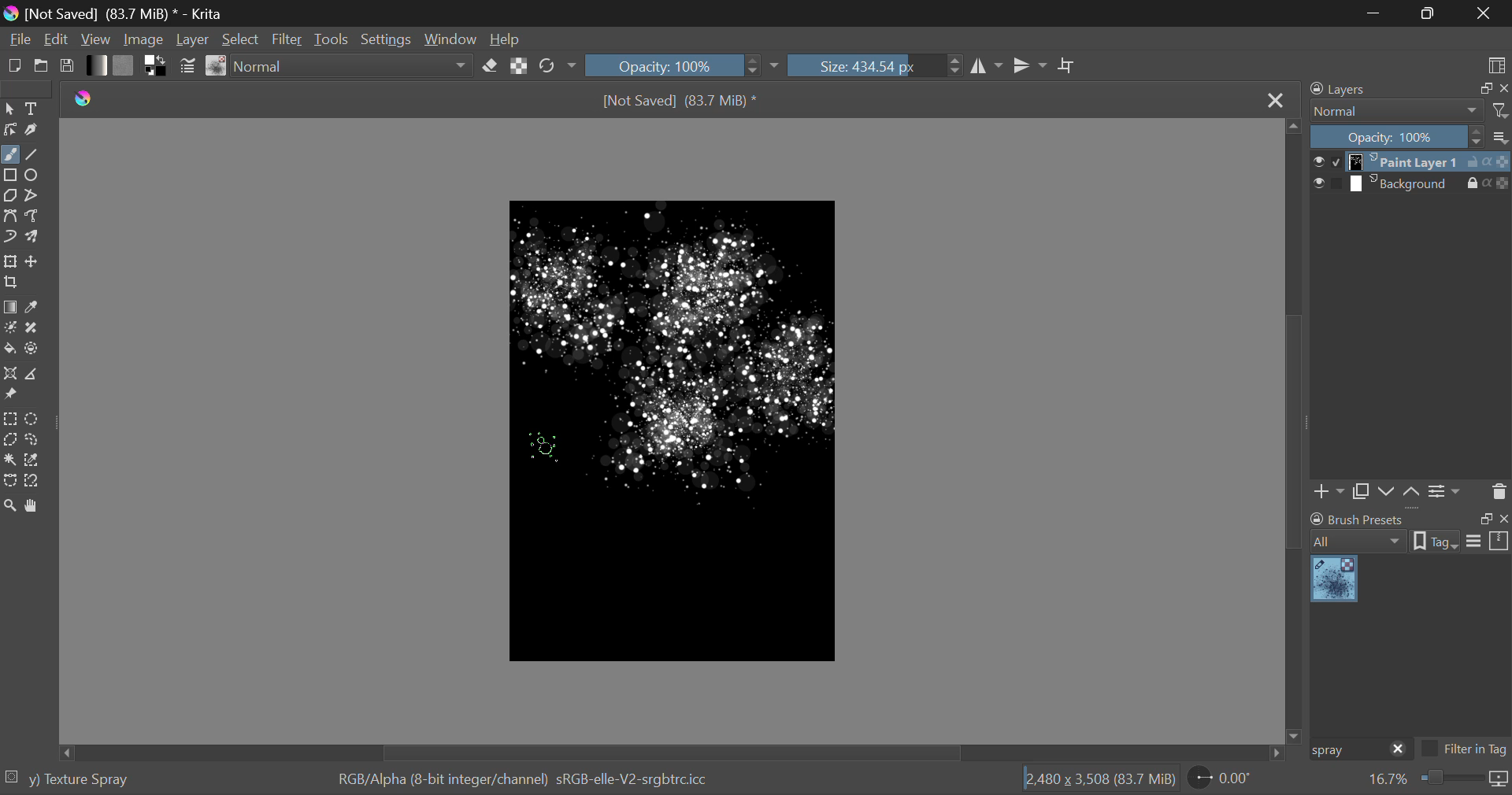 The width and height of the screenshot is (1512, 795). I want to click on Similar Color Selector, so click(35, 460).